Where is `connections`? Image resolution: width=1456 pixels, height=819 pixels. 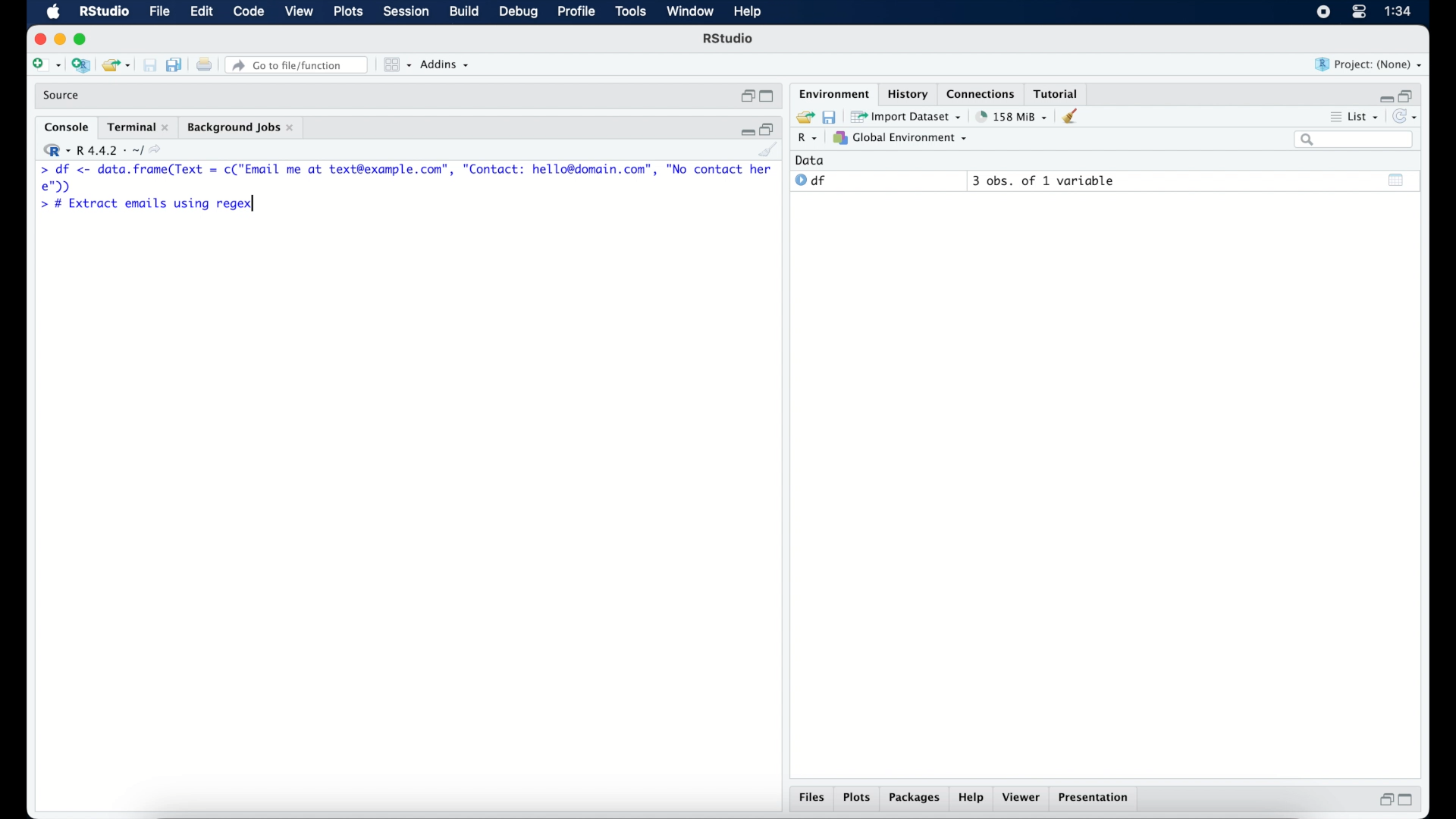 connections is located at coordinates (983, 93).